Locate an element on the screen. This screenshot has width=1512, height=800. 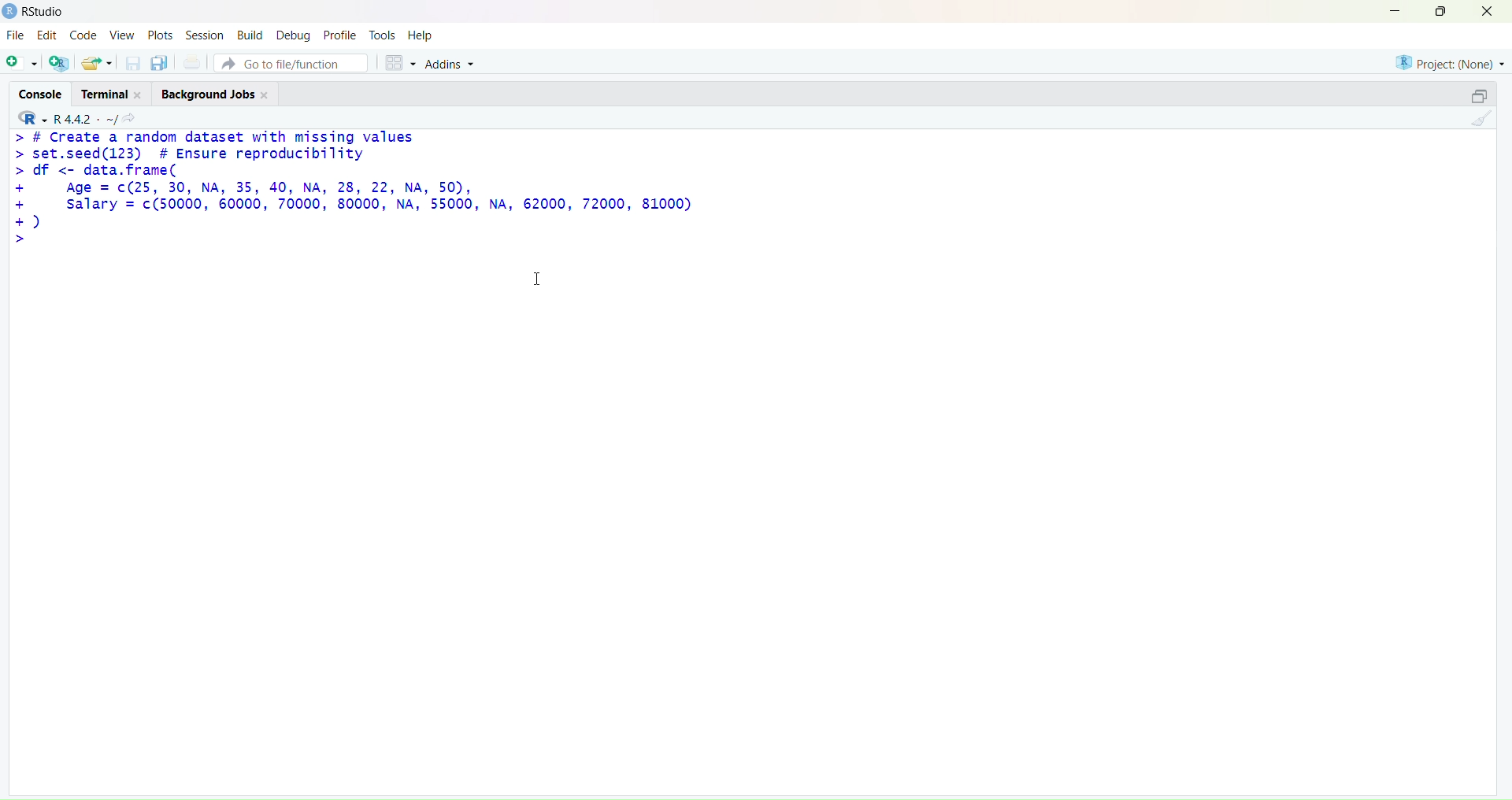
close is located at coordinates (1485, 13).